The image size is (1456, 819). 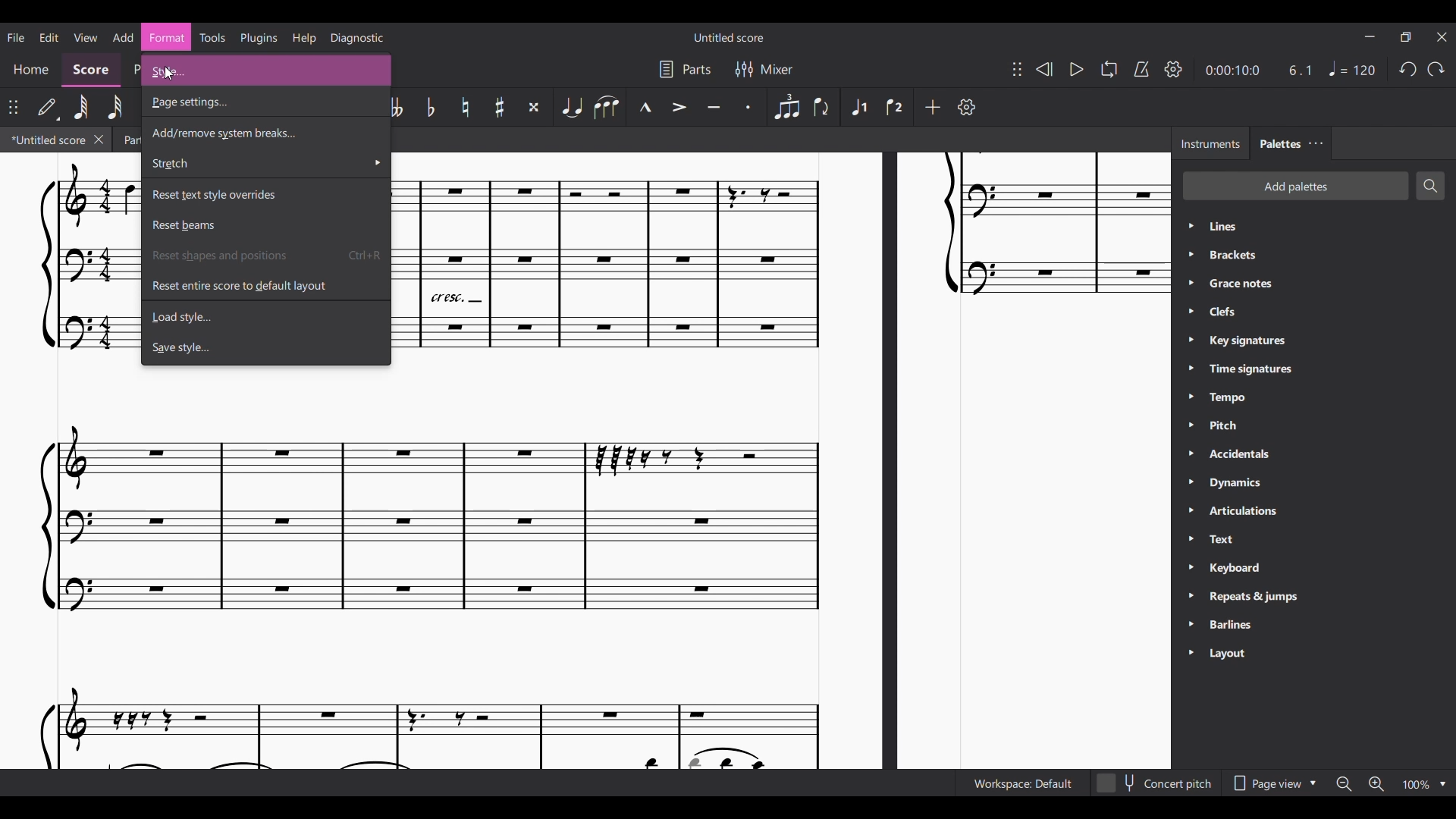 What do you see at coordinates (264, 102) in the screenshot?
I see `Page settings` at bounding box center [264, 102].